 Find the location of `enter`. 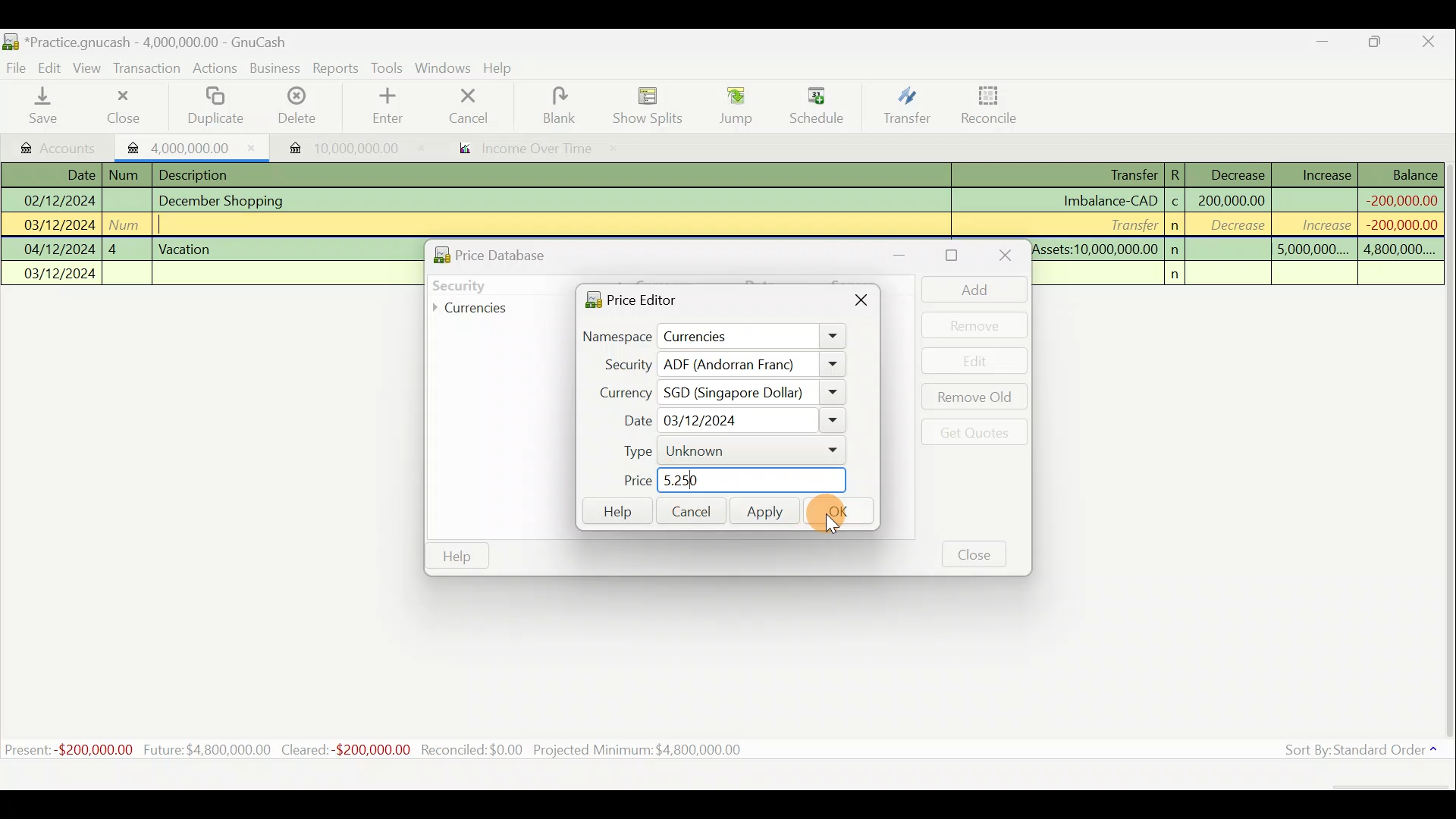

enter is located at coordinates (393, 107).